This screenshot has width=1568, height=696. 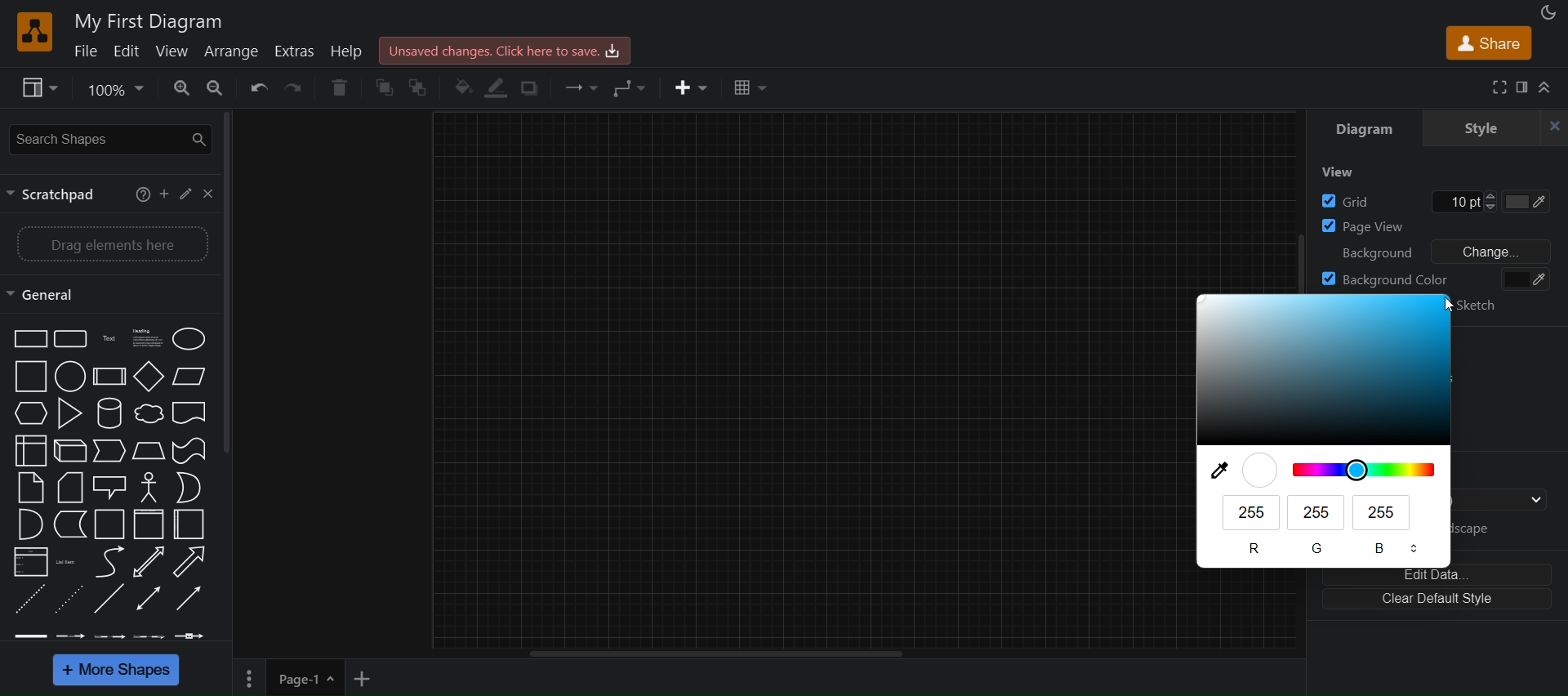 What do you see at coordinates (174, 88) in the screenshot?
I see `zoom in` at bounding box center [174, 88].